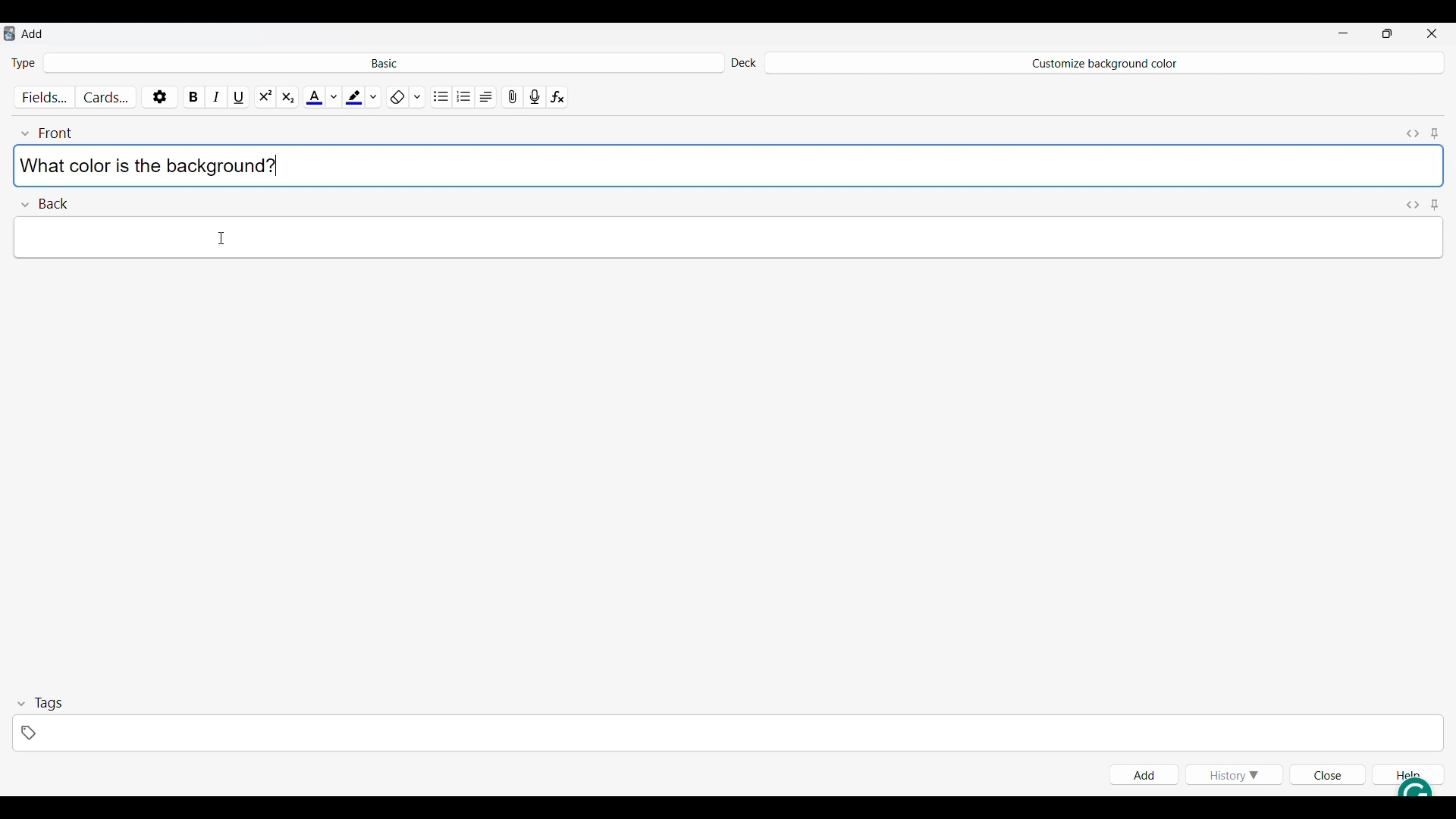  What do you see at coordinates (106, 95) in the screenshot?
I see `Customize cards` at bounding box center [106, 95].